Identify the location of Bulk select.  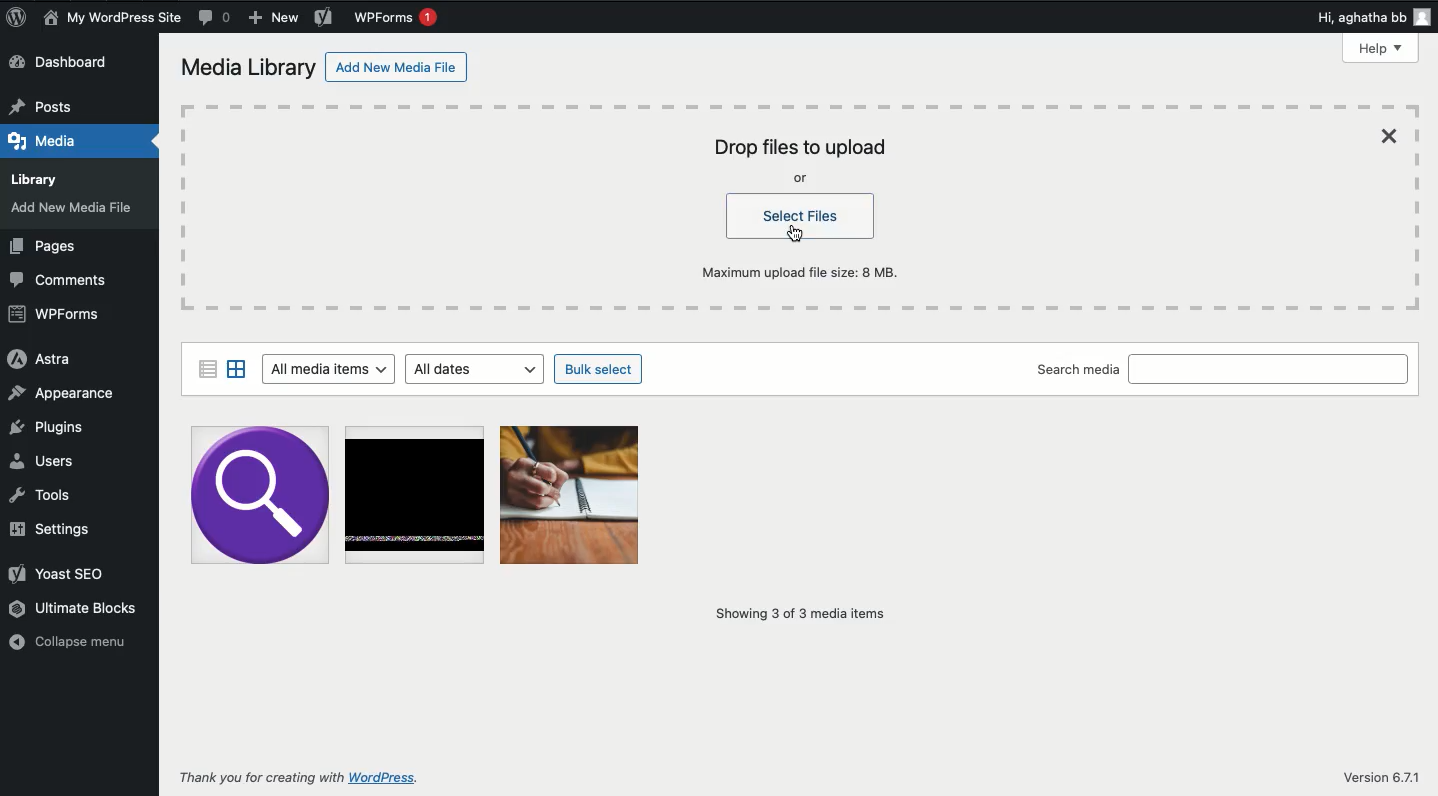
(600, 370).